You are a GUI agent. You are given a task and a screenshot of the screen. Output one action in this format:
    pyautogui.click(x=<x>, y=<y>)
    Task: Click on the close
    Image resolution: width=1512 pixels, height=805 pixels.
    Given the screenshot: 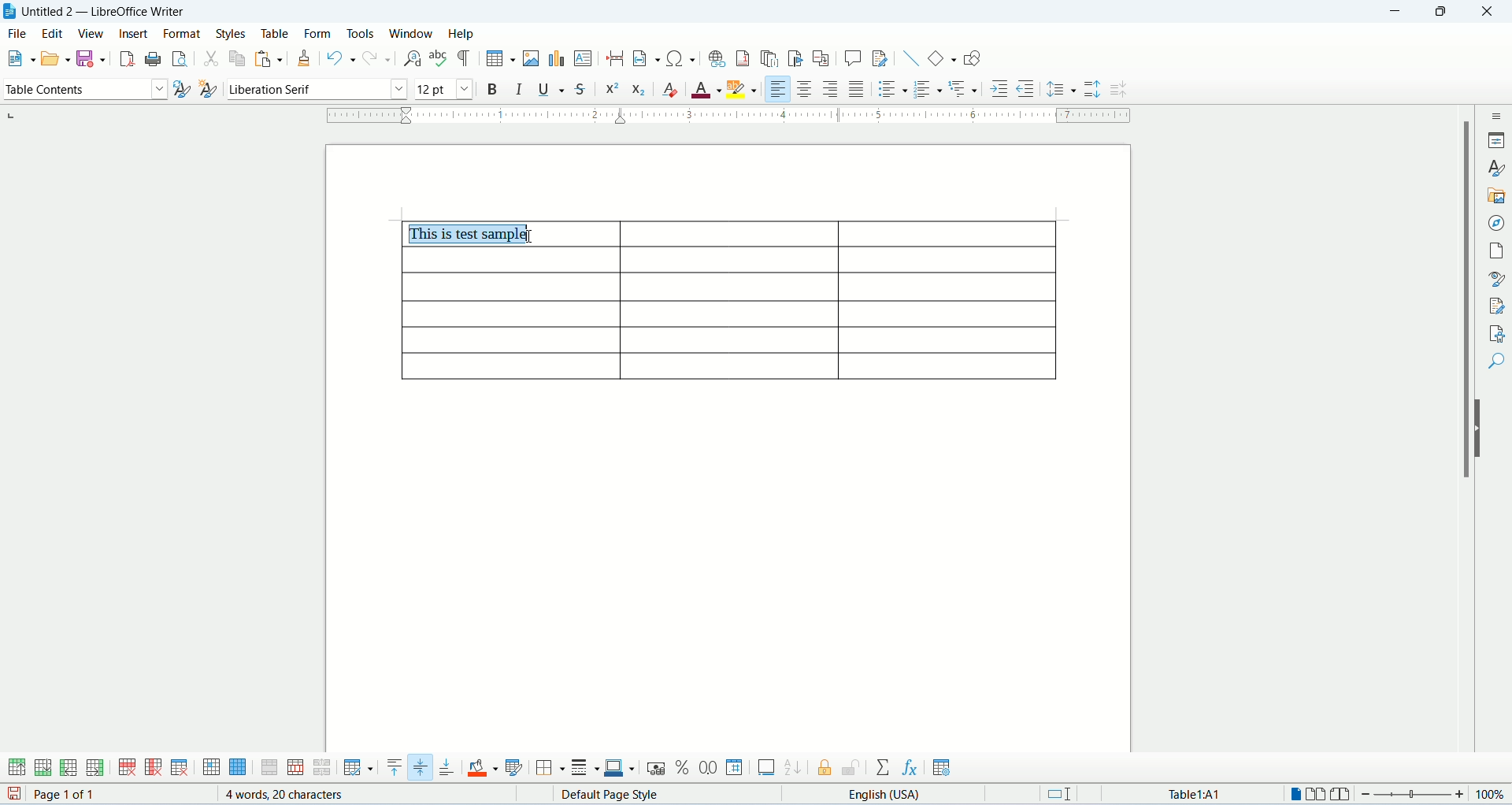 What is the action you would take?
    pyautogui.click(x=1485, y=12)
    